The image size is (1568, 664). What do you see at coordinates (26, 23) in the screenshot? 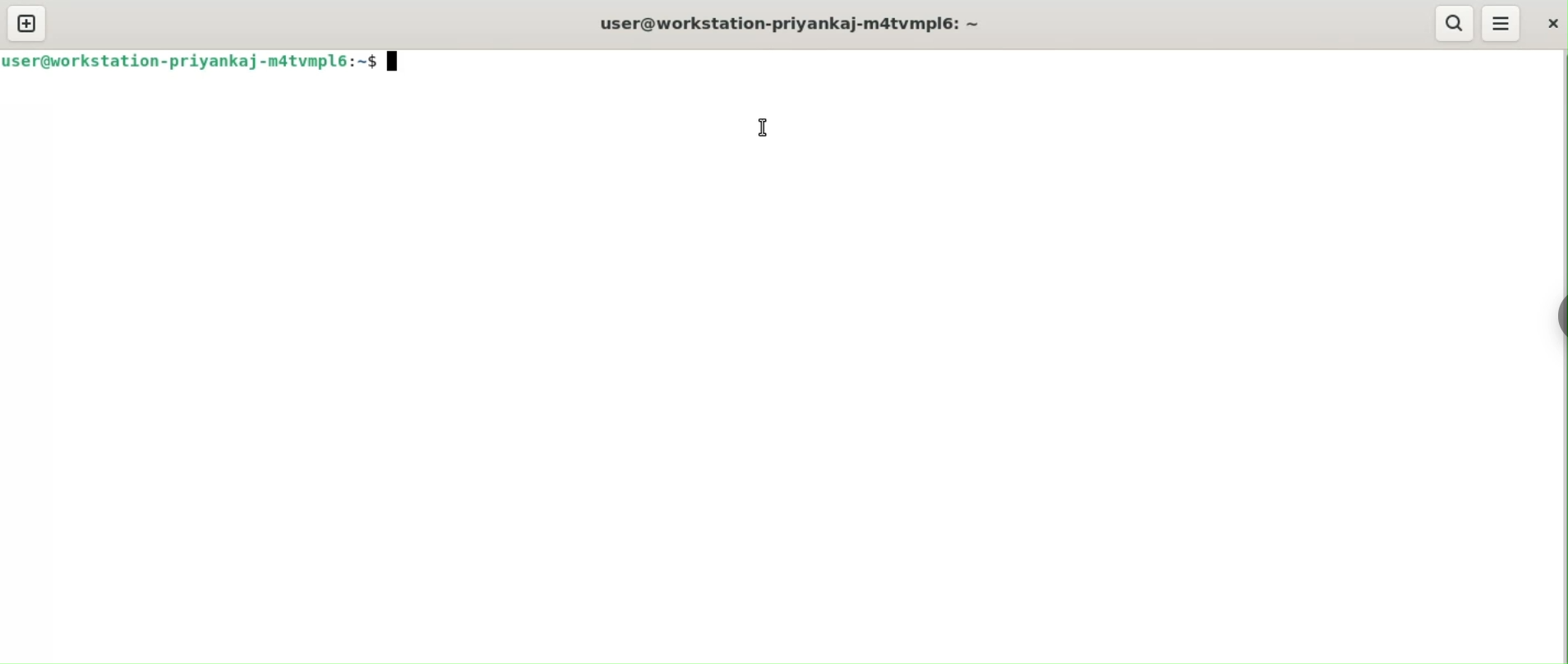
I see `new tab` at bounding box center [26, 23].